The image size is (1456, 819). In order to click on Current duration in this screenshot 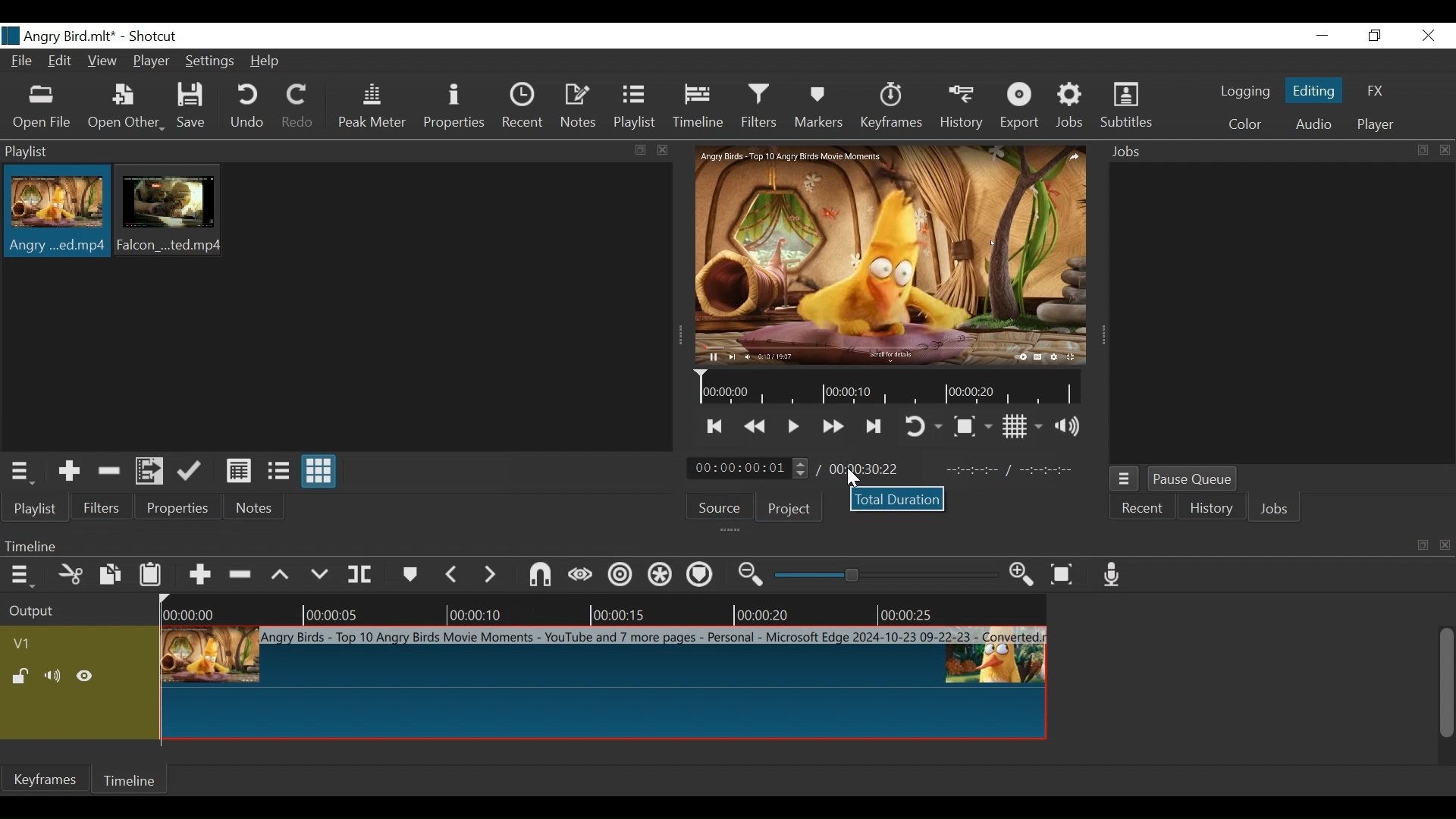, I will do `click(748, 468)`.